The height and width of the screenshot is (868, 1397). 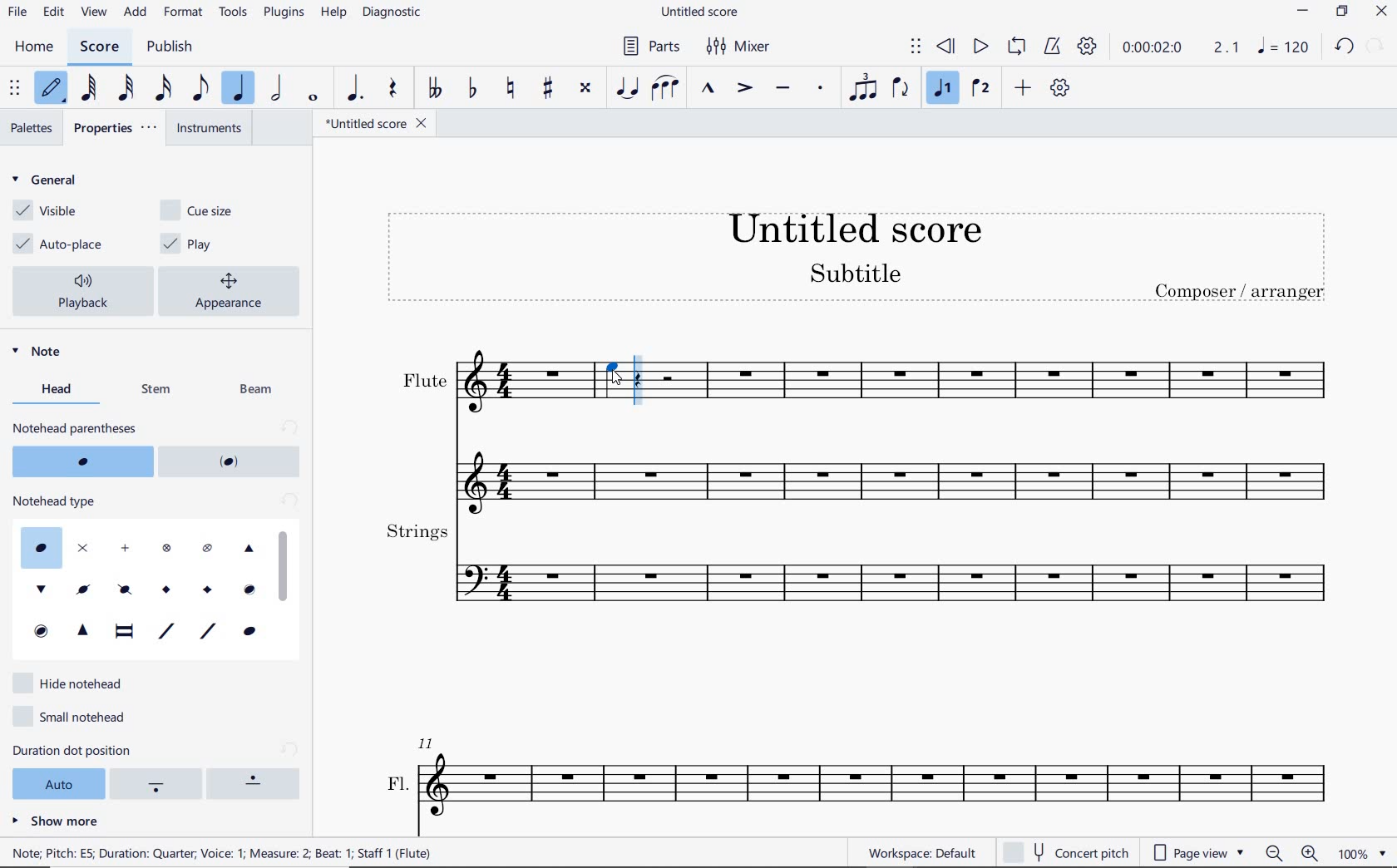 What do you see at coordinates (704, 12) in the screenshot?
I see `FILE NAME` at bounding box center [704, 12].